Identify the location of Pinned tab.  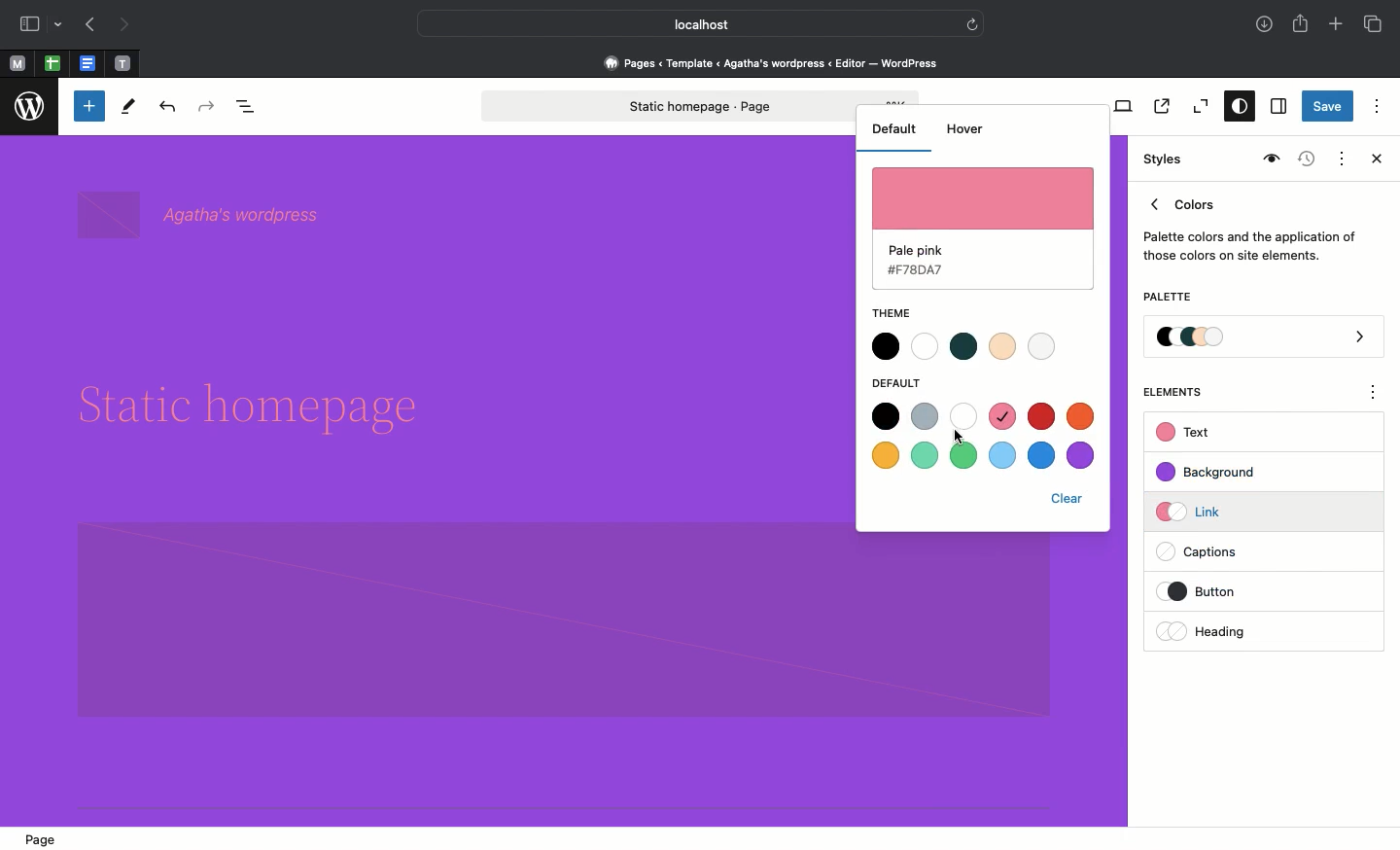
(123, 64).